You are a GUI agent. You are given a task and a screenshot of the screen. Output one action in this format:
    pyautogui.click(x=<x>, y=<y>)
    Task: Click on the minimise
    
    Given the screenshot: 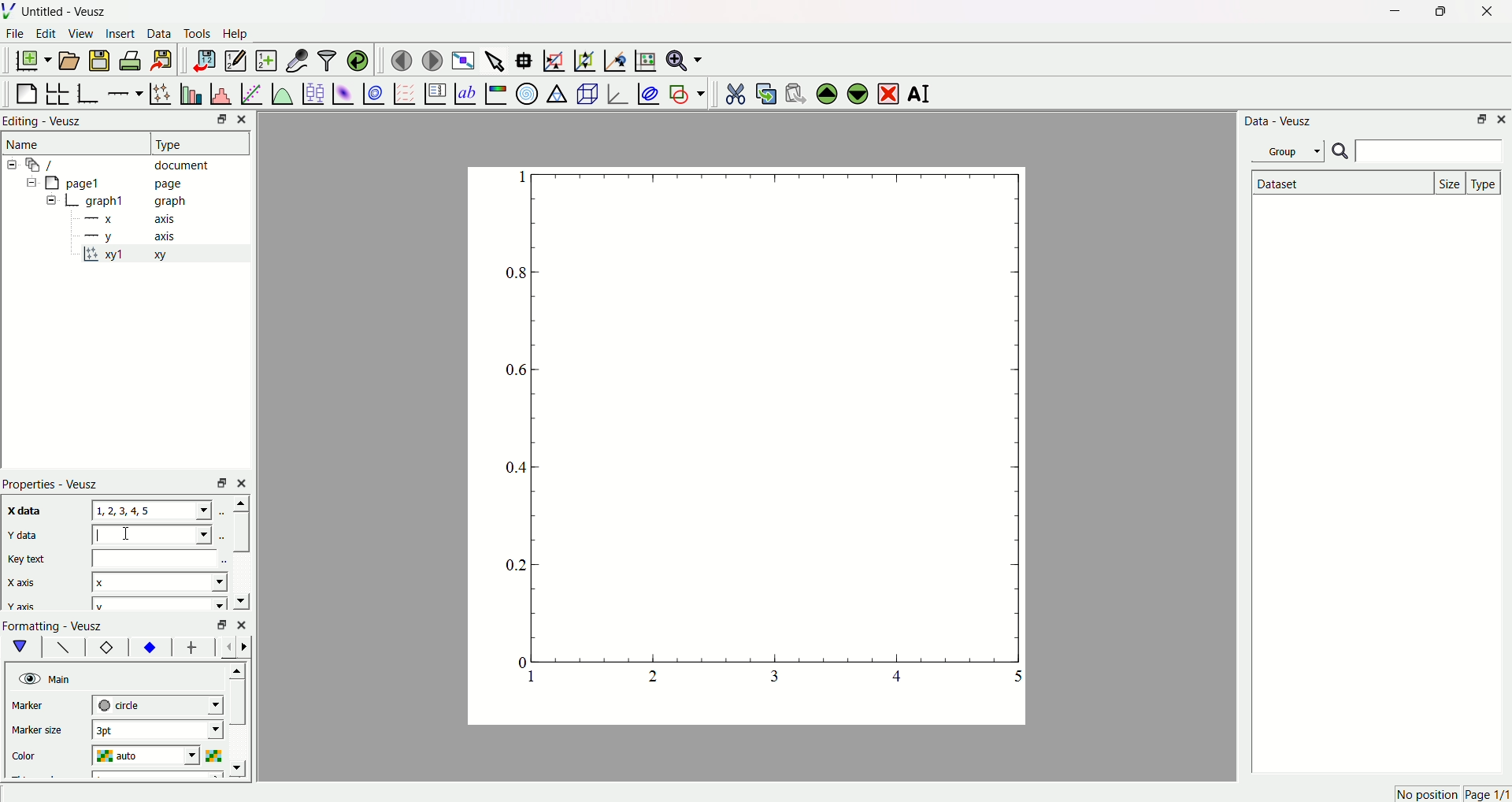 What is the action you would take?
    pyautogui.click(x=217, y=482)
    